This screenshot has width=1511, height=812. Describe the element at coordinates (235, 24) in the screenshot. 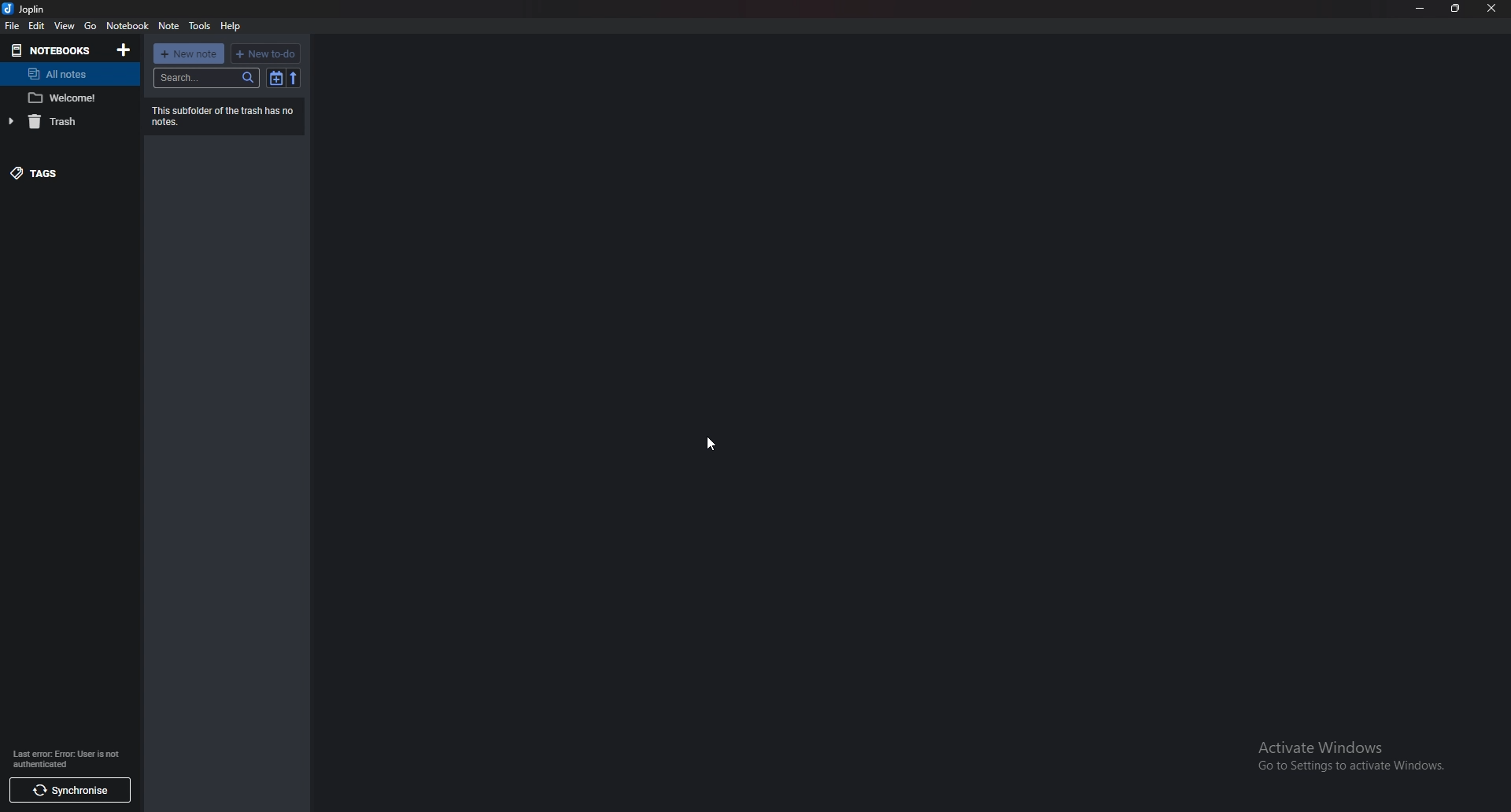

I see `help` at that location.